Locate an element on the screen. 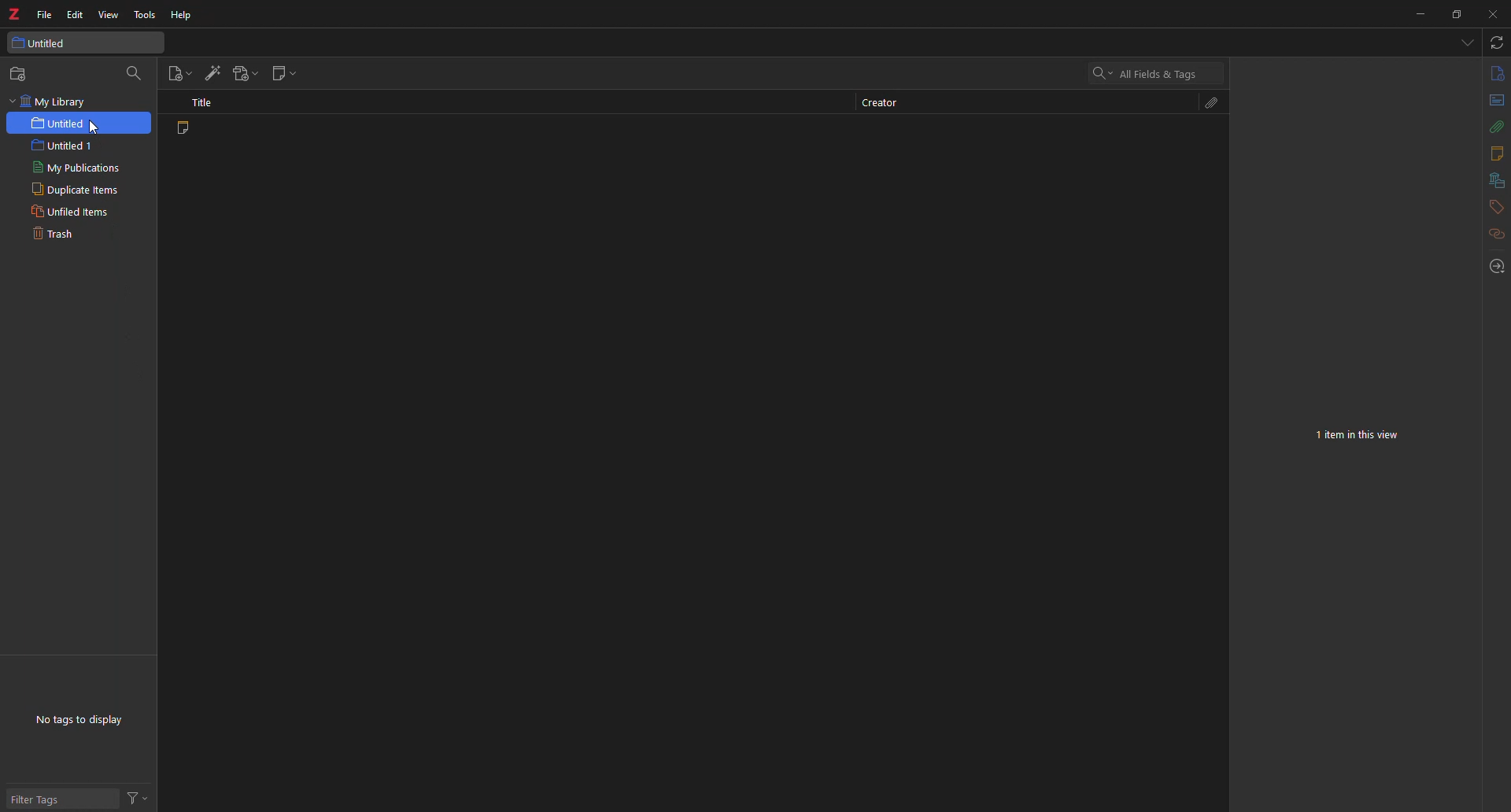 The height and width of the screenshot is (812, 1511). notes is located at coordinates (1490, 154).